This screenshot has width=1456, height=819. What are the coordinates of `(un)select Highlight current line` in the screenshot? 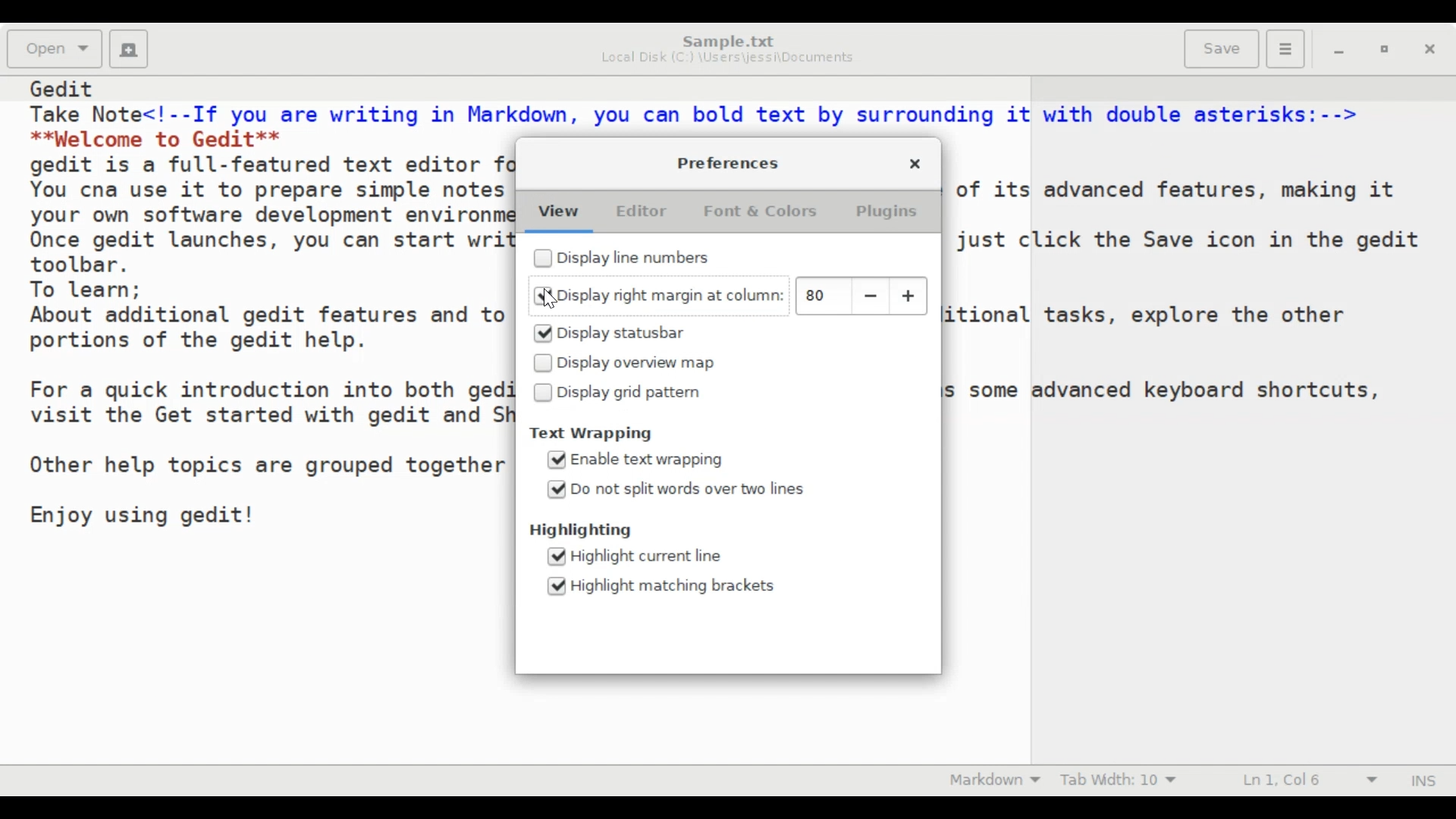 It's located at (643, 557).